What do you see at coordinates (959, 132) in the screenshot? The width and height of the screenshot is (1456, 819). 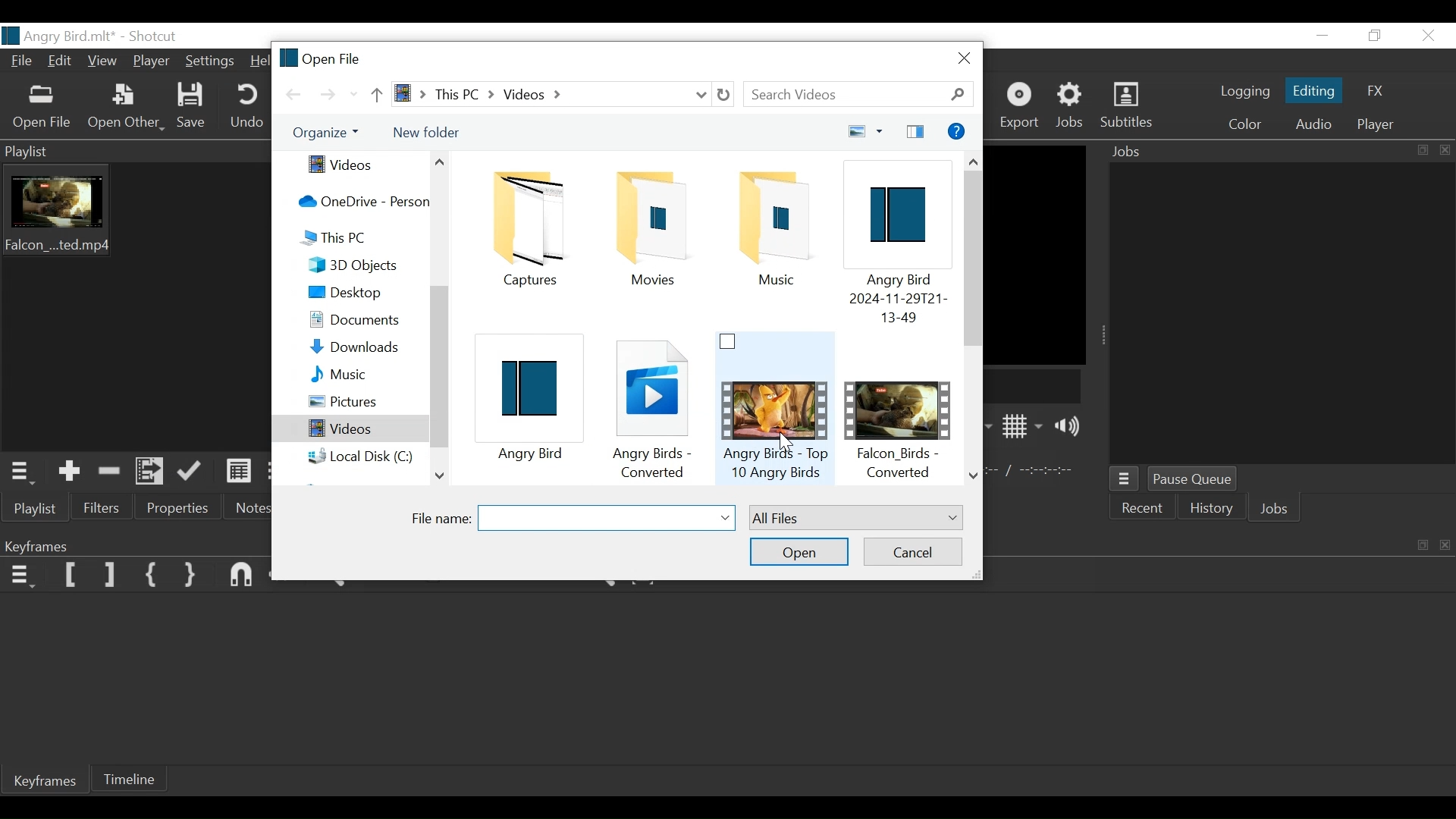 I see `Get Help` at bounding box center [959, 132].